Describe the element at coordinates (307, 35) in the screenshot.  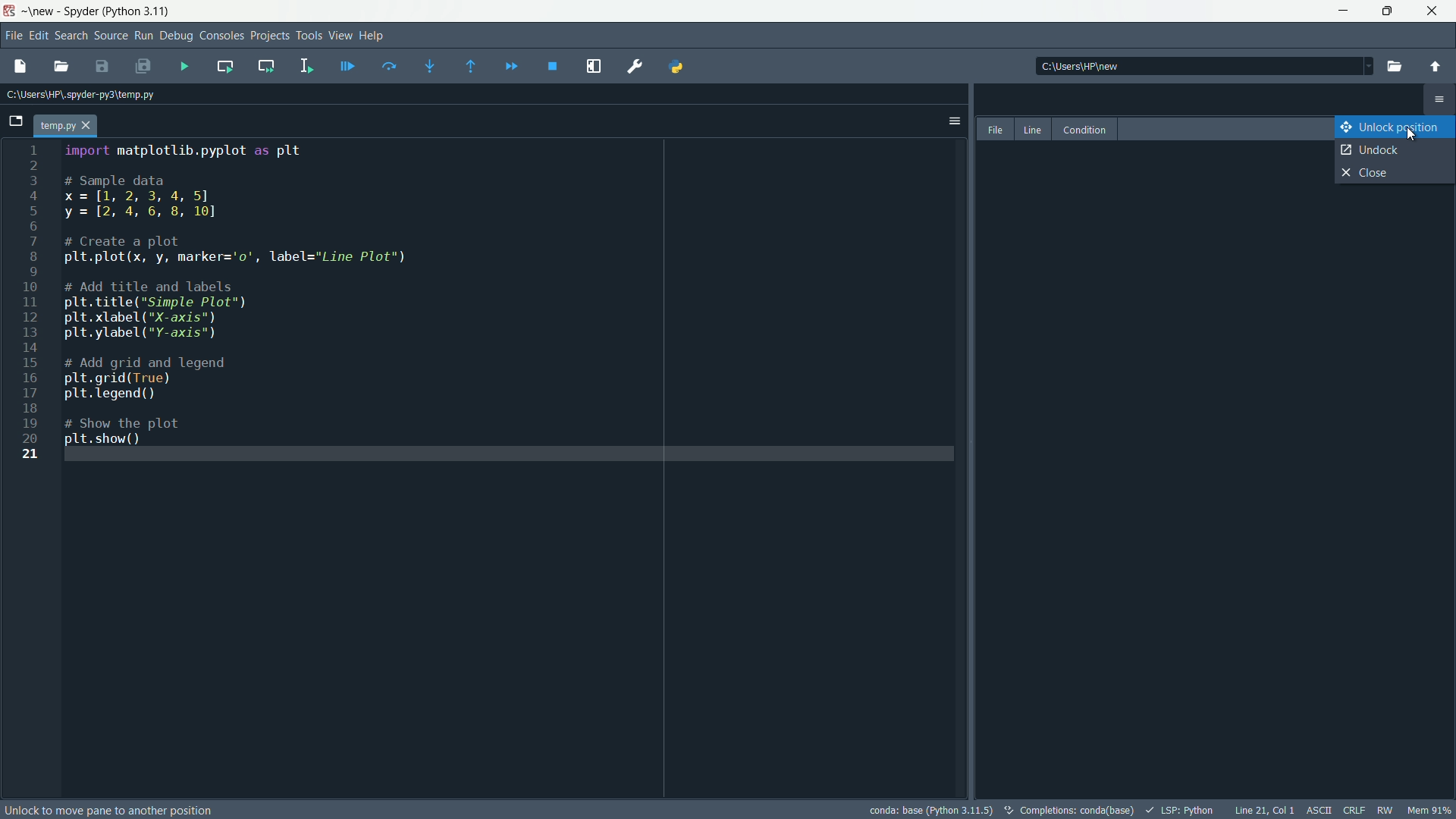
I see `tools menu` at that location.